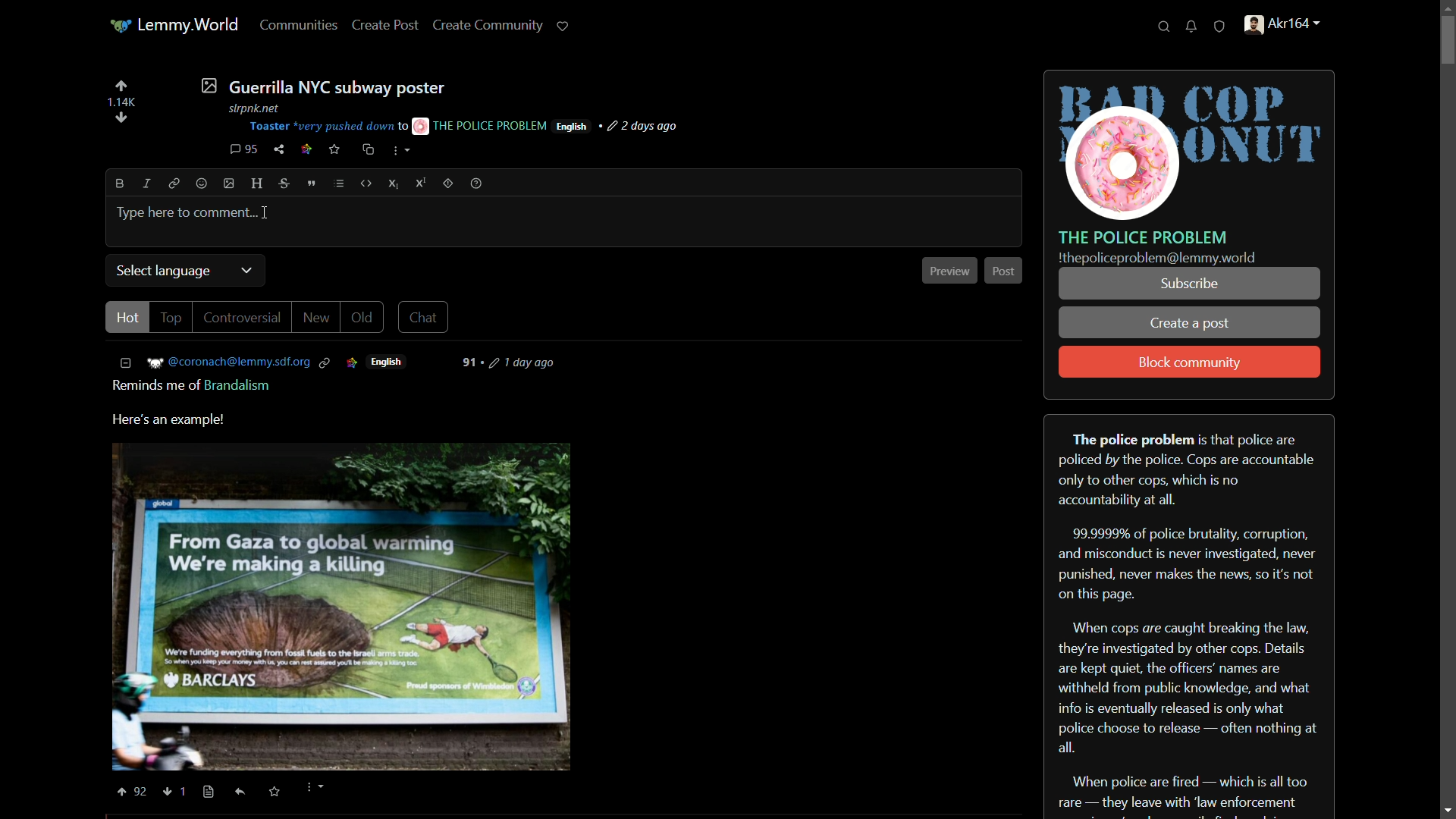  Describe the element at coordinates (422, 318) in the screenshot. I see `chat` at that location.